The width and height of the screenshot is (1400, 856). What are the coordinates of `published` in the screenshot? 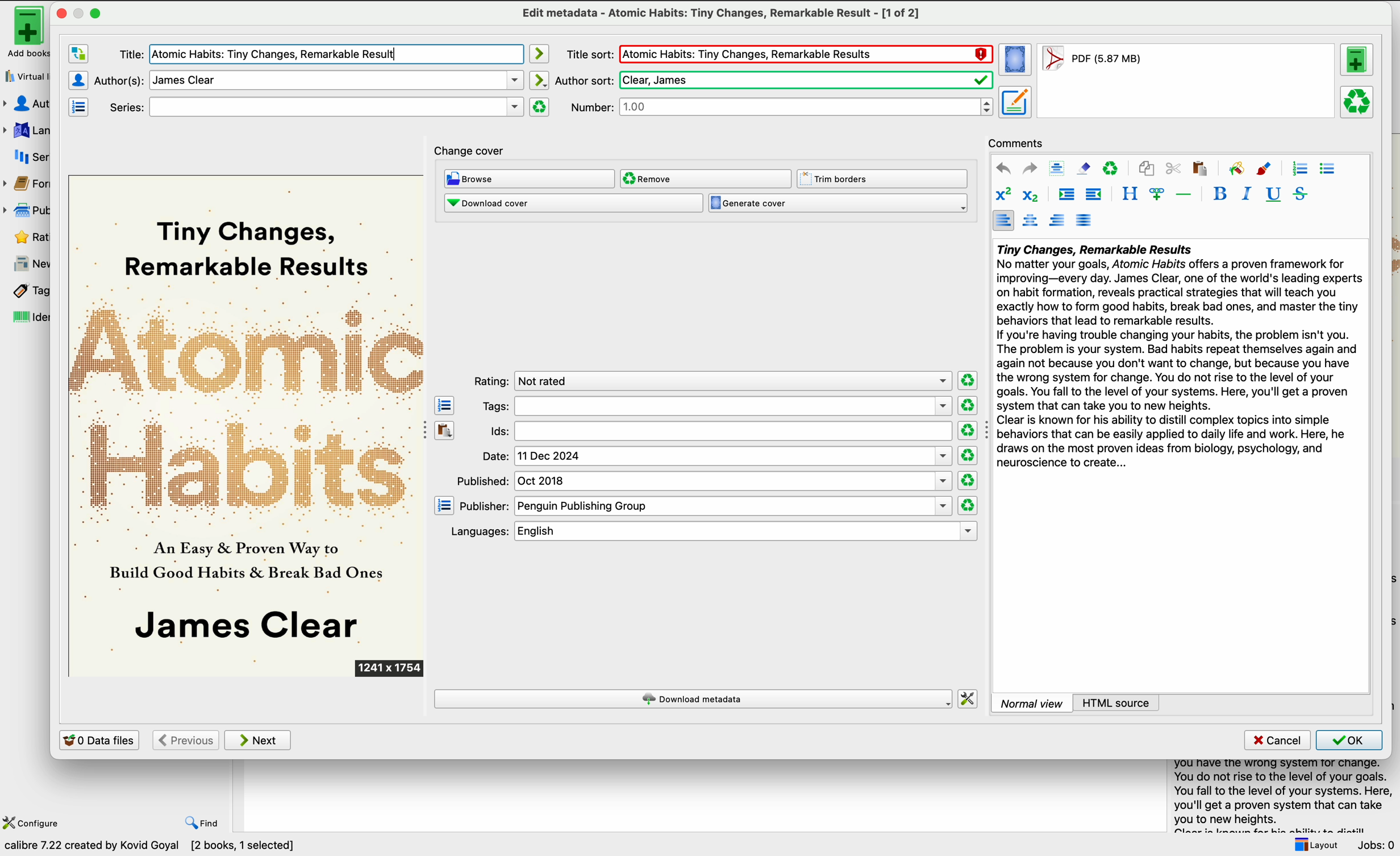 It's located at (705, 481).